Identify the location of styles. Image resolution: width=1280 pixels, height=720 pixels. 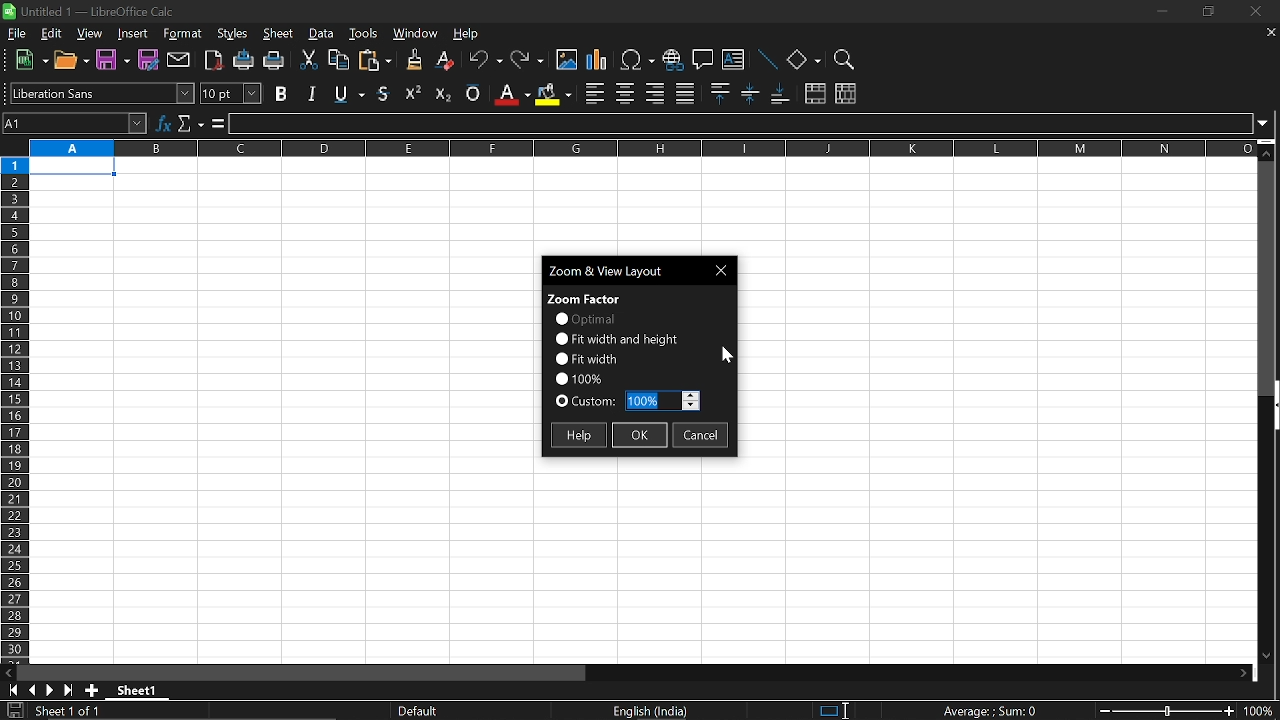
(233, 35).